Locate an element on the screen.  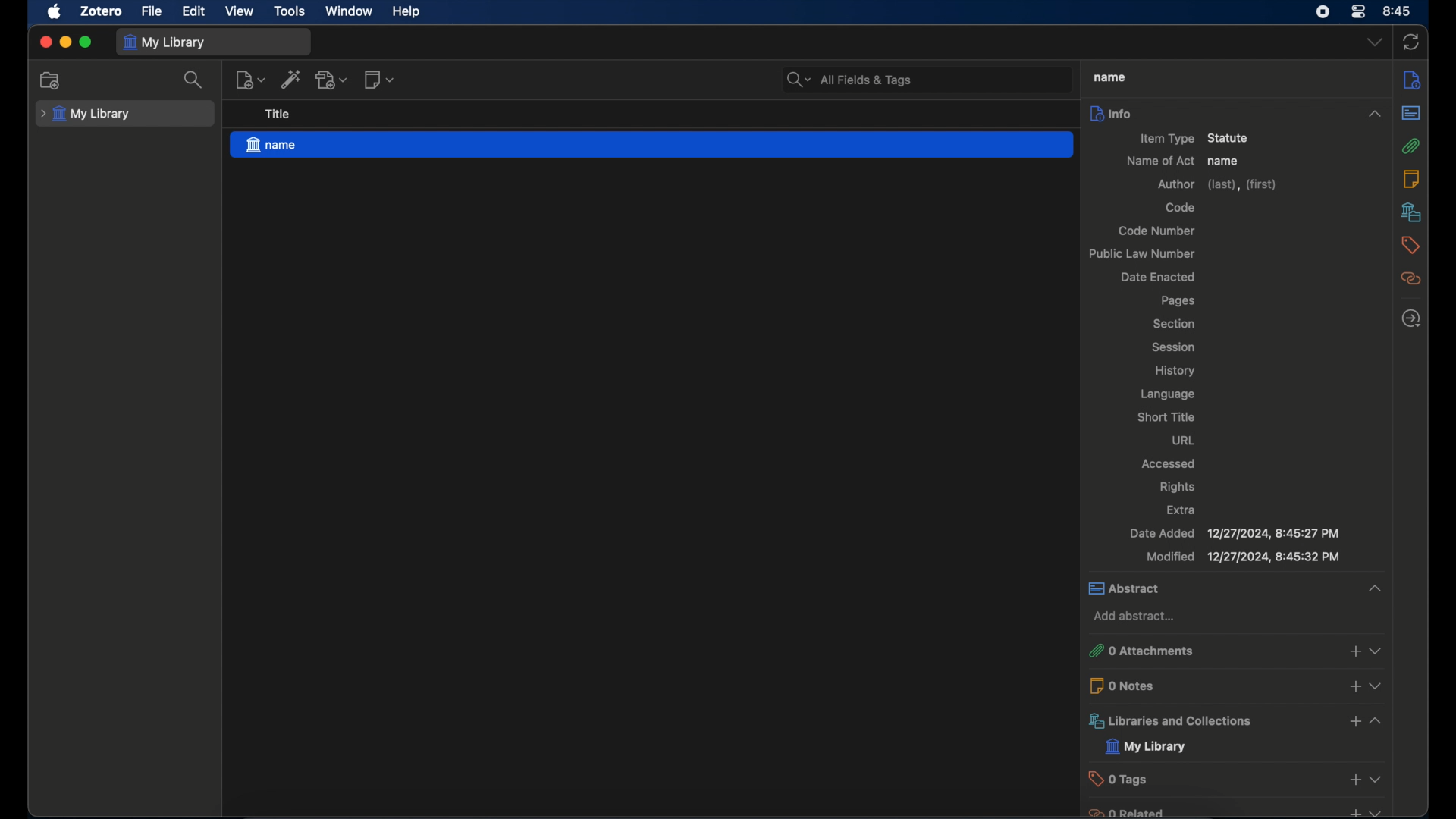
libraries is located at coordinates (1210, 721).